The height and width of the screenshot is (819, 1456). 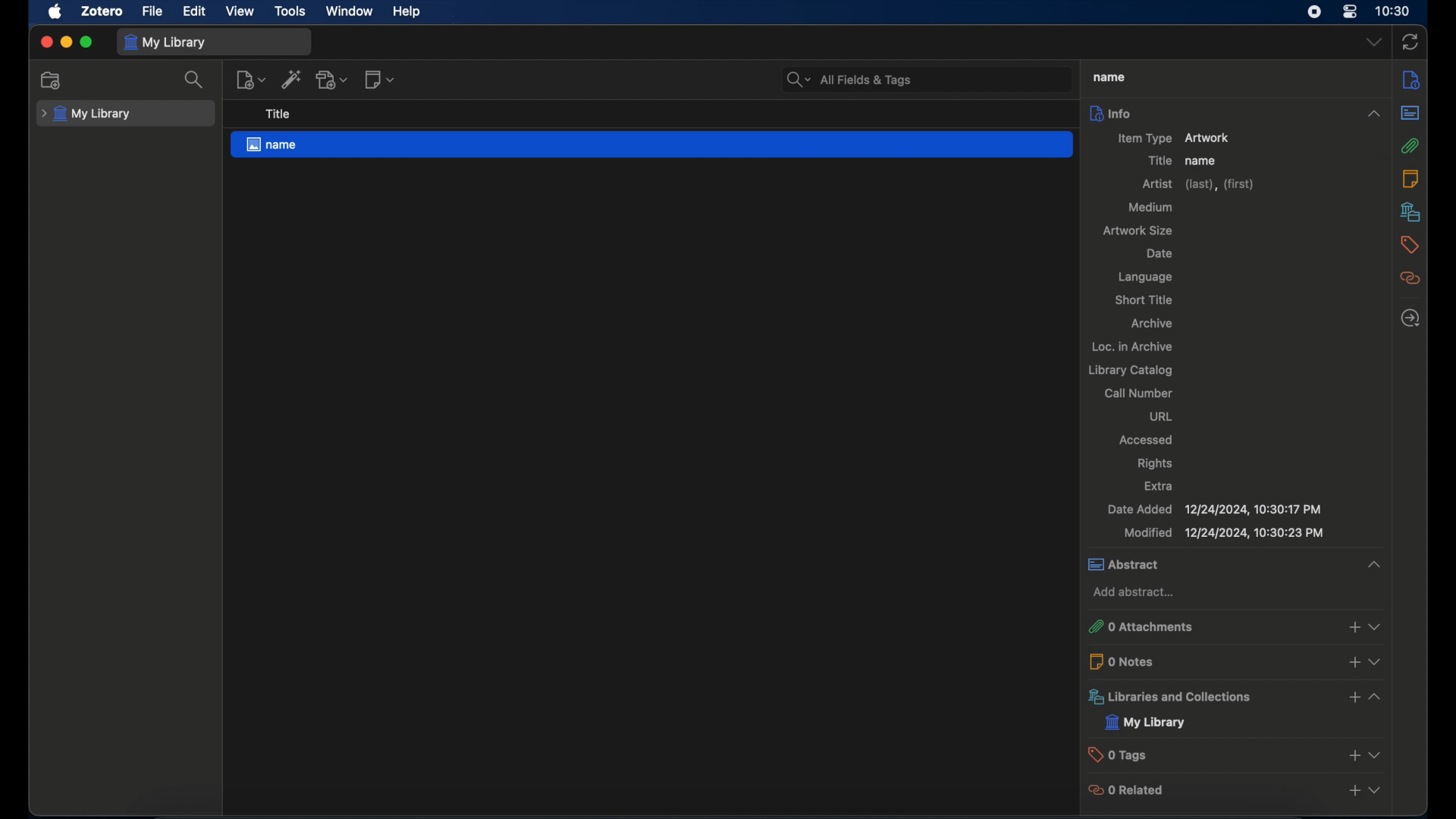 I want to click on notes, so click(x=1412, y=79).